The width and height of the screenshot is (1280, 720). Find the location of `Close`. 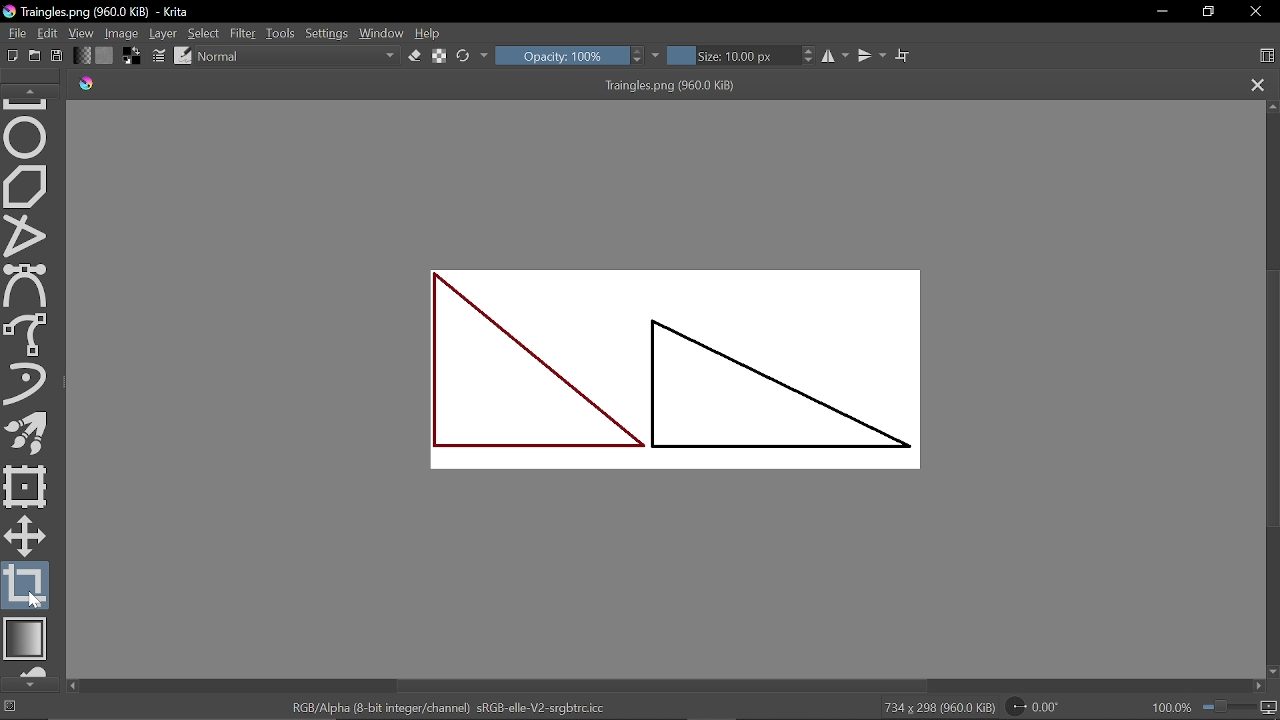

Close is located at coordinates (1258, 13).